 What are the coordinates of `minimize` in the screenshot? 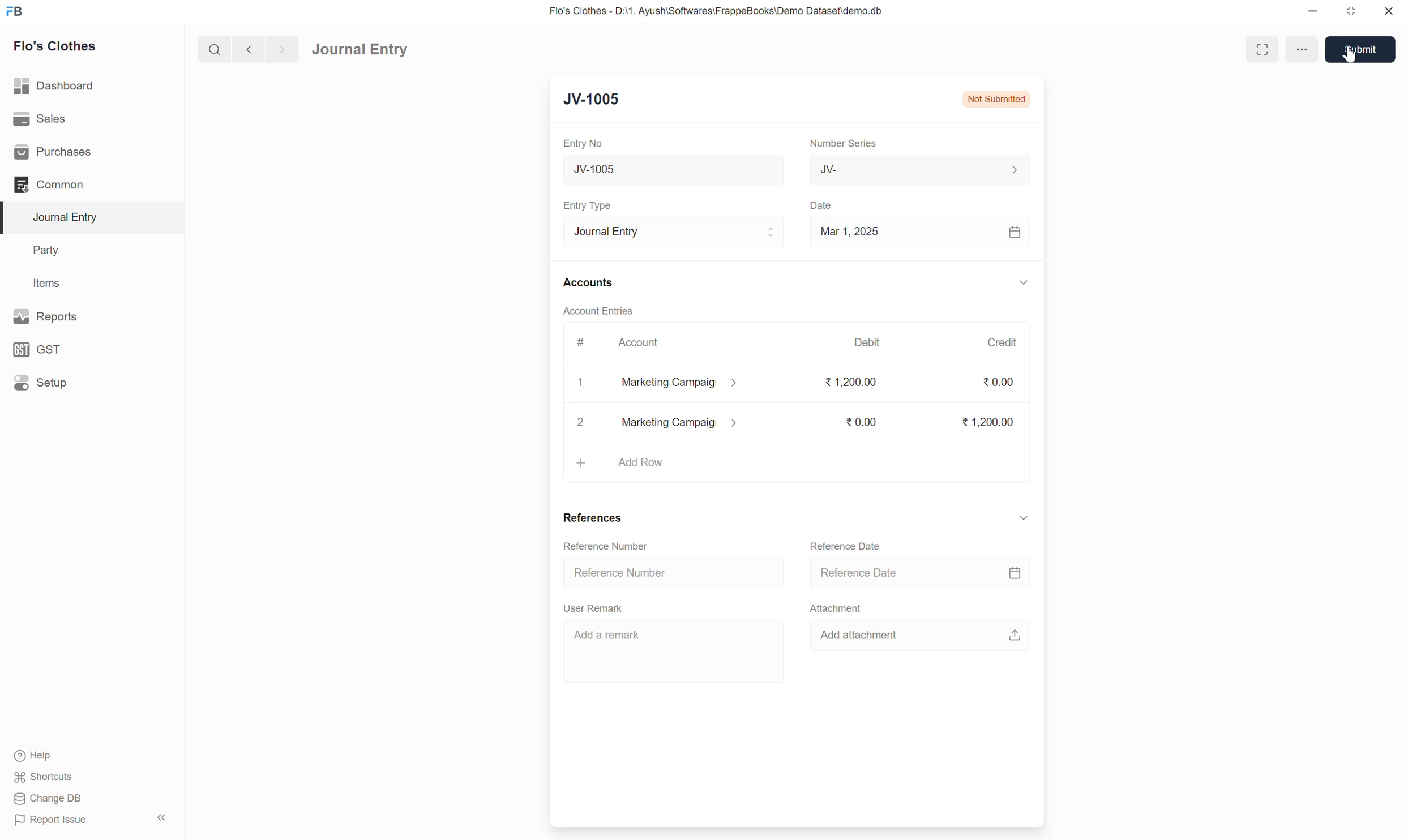 It's located at (1313, 12).